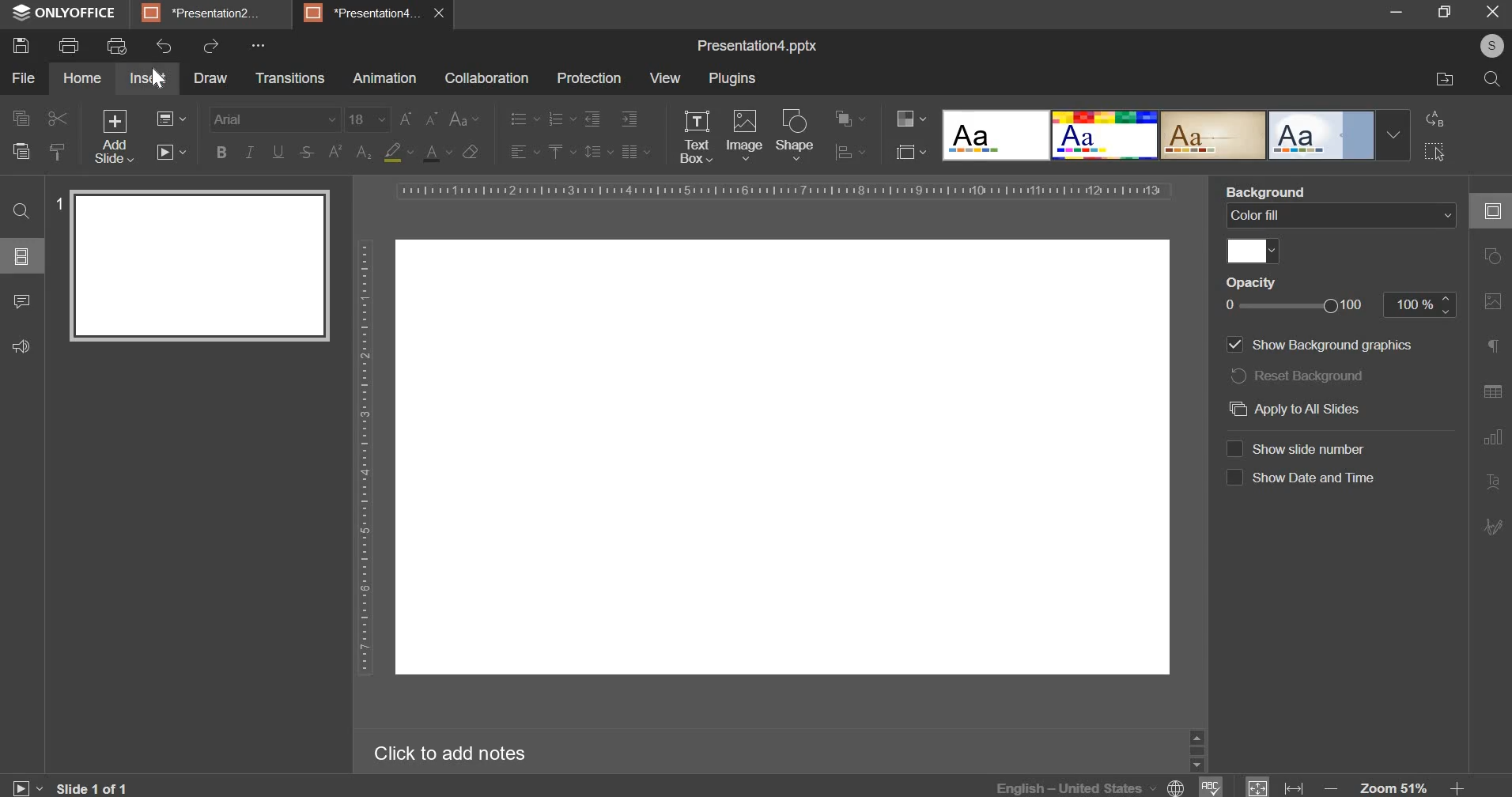 The height and width of the screenshot is (797, 1512). I want to click on paste, so click(21, 150).